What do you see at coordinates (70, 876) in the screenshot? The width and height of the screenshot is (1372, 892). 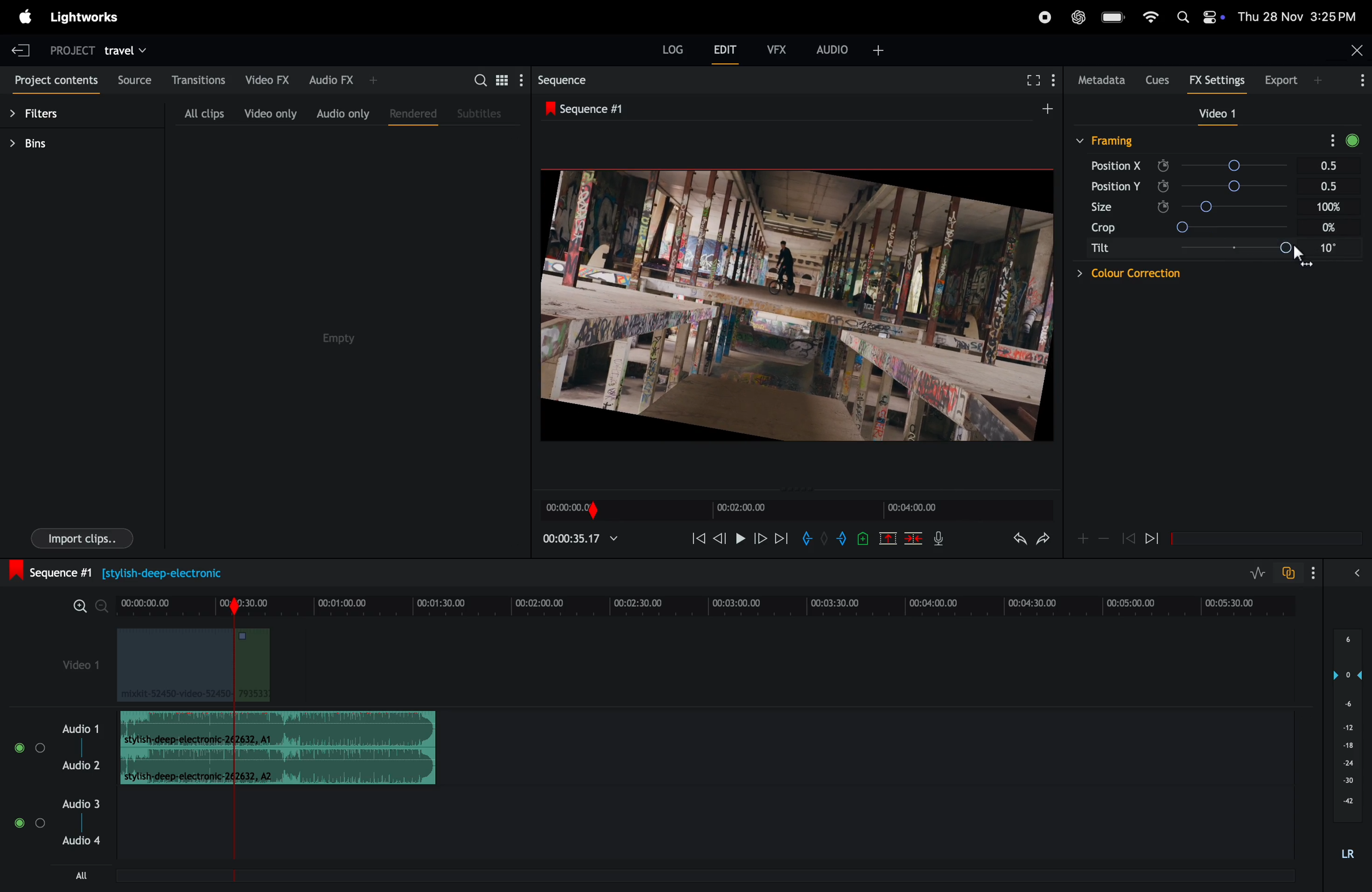 I see `all` at bounding box center [70, 876].